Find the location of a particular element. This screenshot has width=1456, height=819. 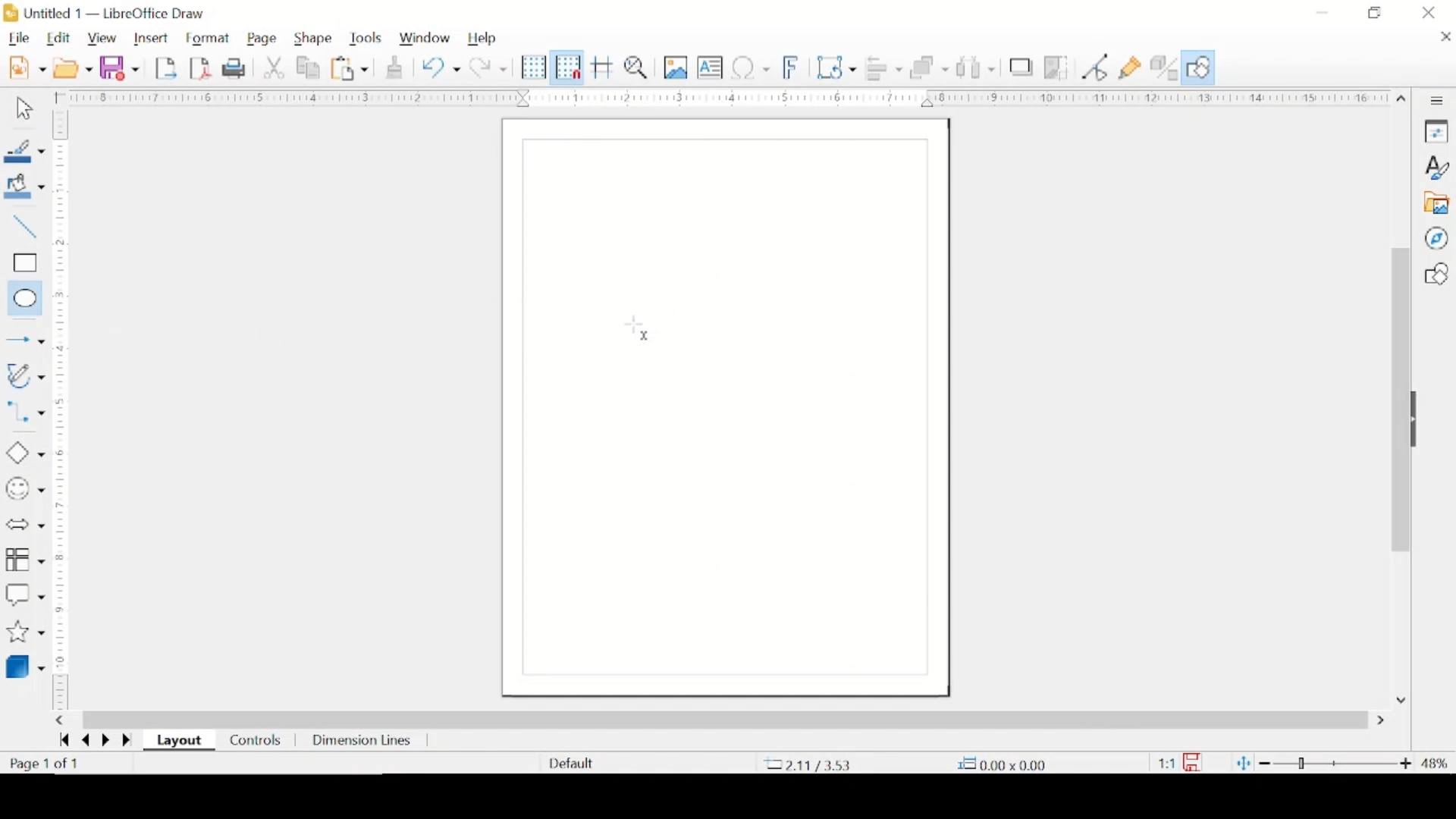

new is located at coordinates (27, 67).